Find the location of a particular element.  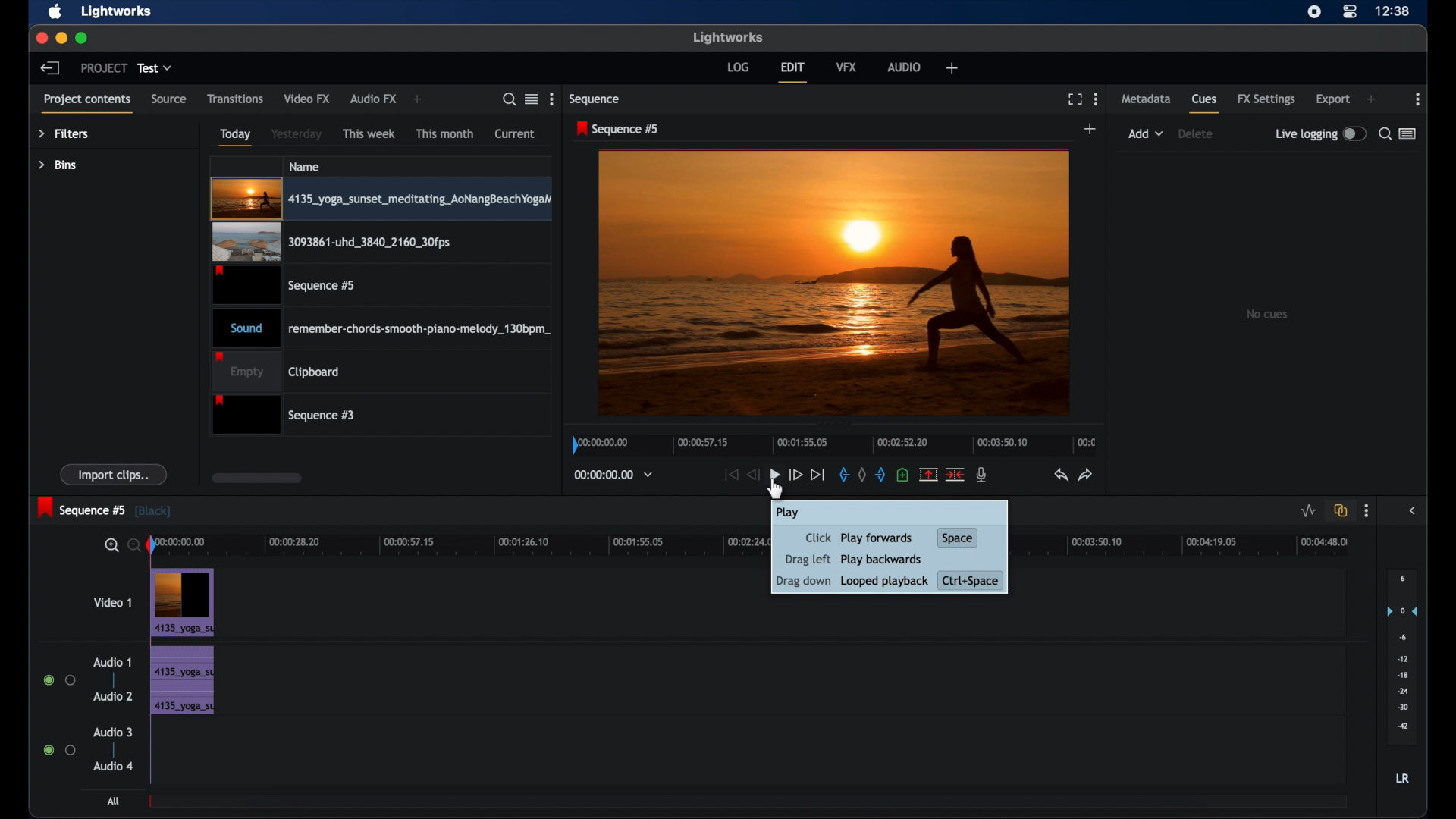

add is located at coordinates (1091, 128).